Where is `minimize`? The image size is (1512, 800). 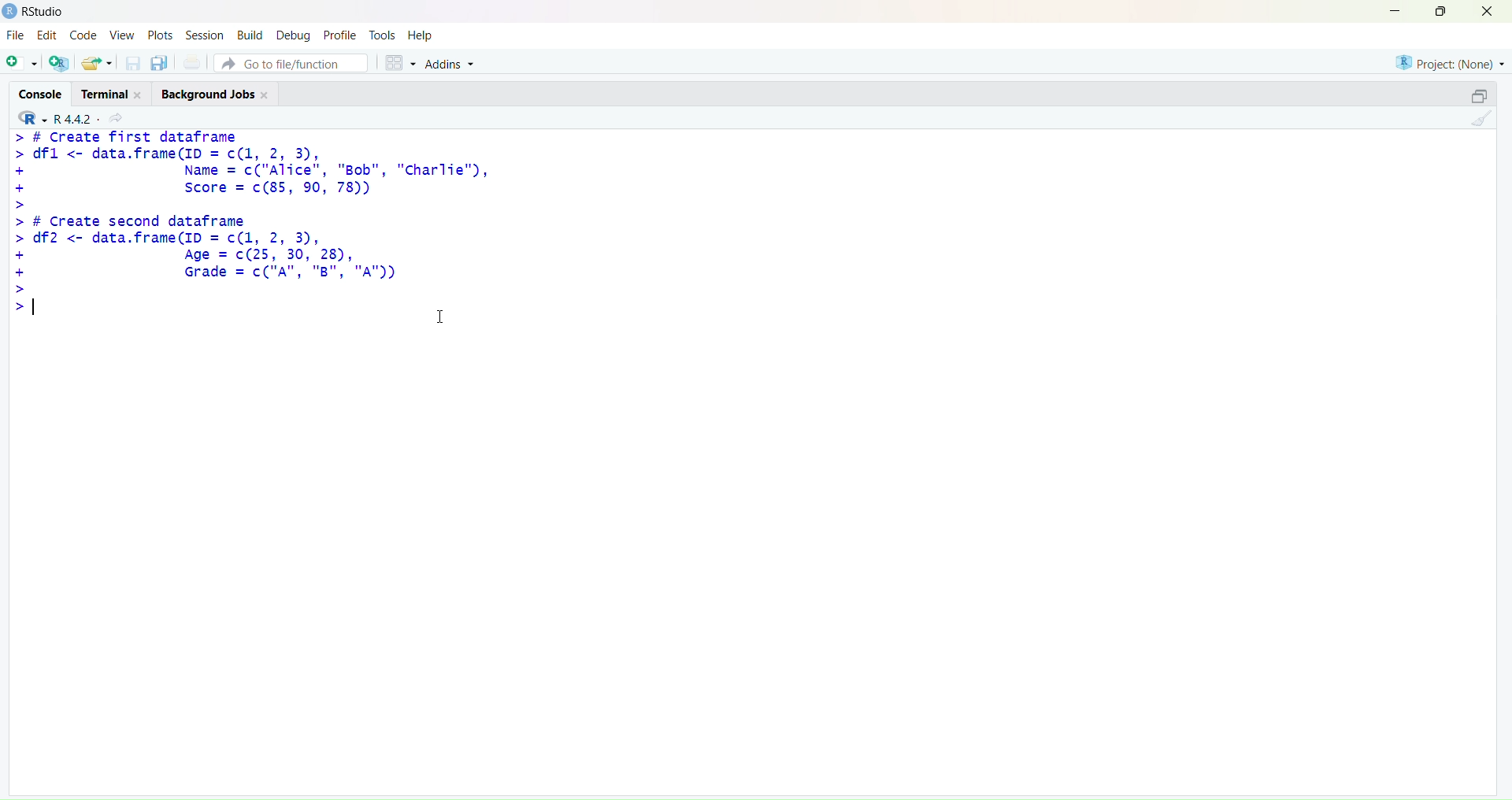 minimize is located at coordinates (1392, 11).